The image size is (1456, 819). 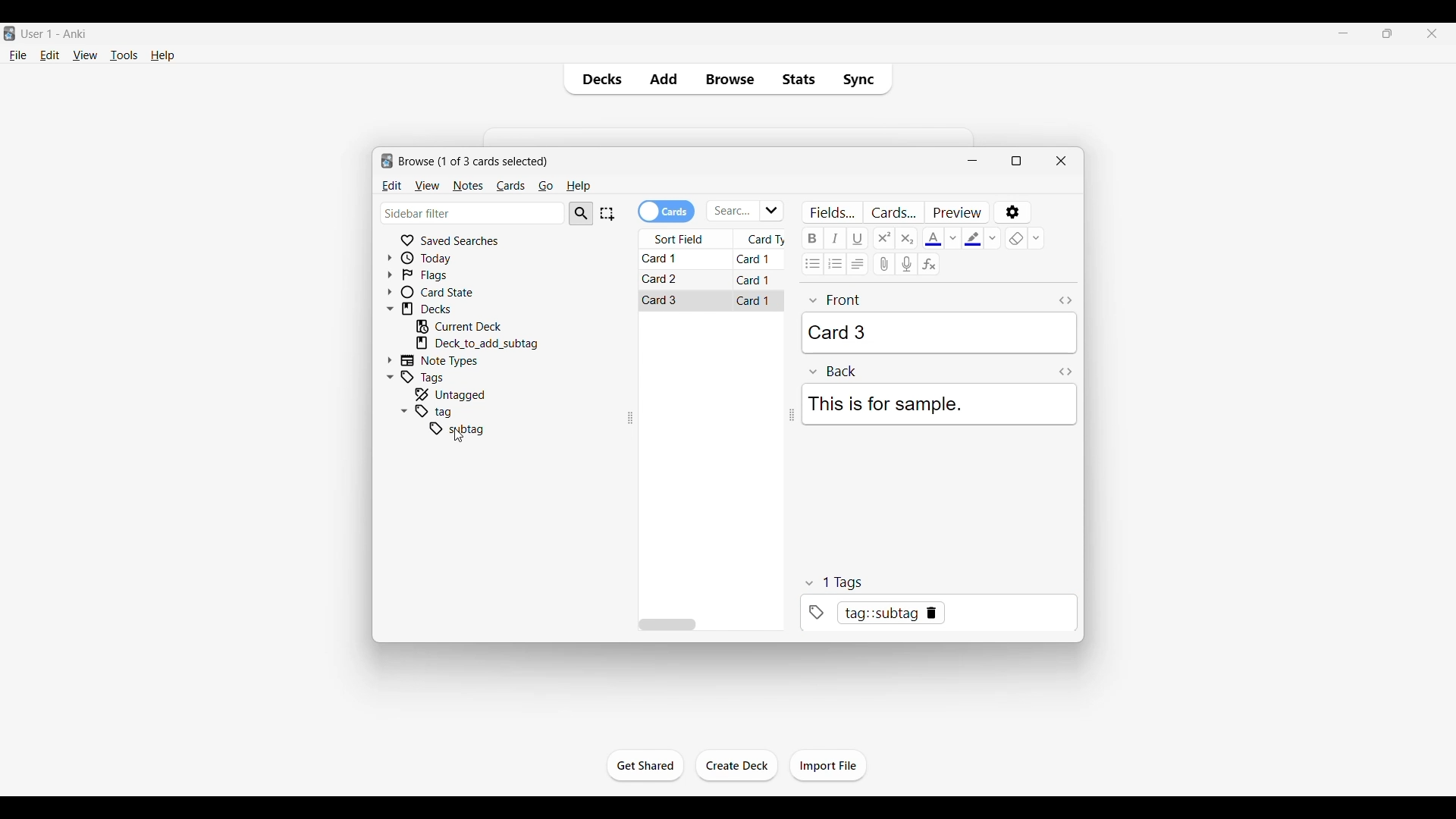 I want to click on Click to go to tags, so click(x=449, y=376).